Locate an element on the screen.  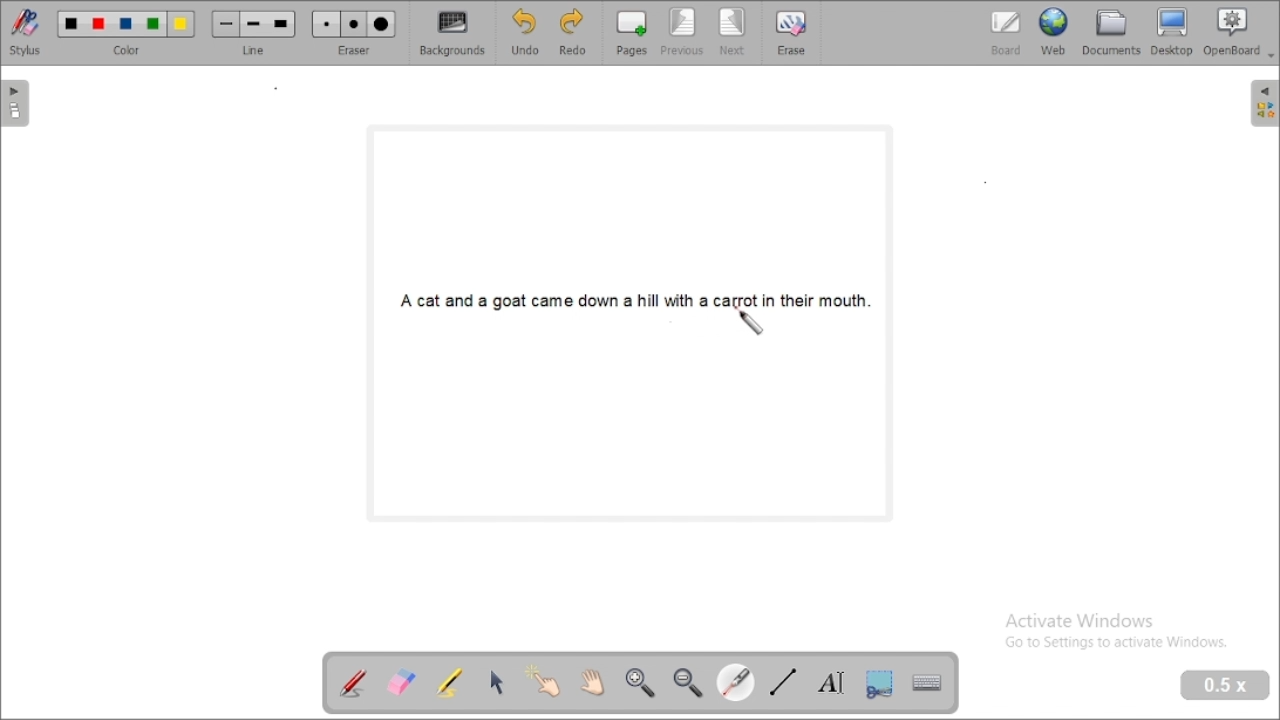
color is located at coordinates (127, 33).